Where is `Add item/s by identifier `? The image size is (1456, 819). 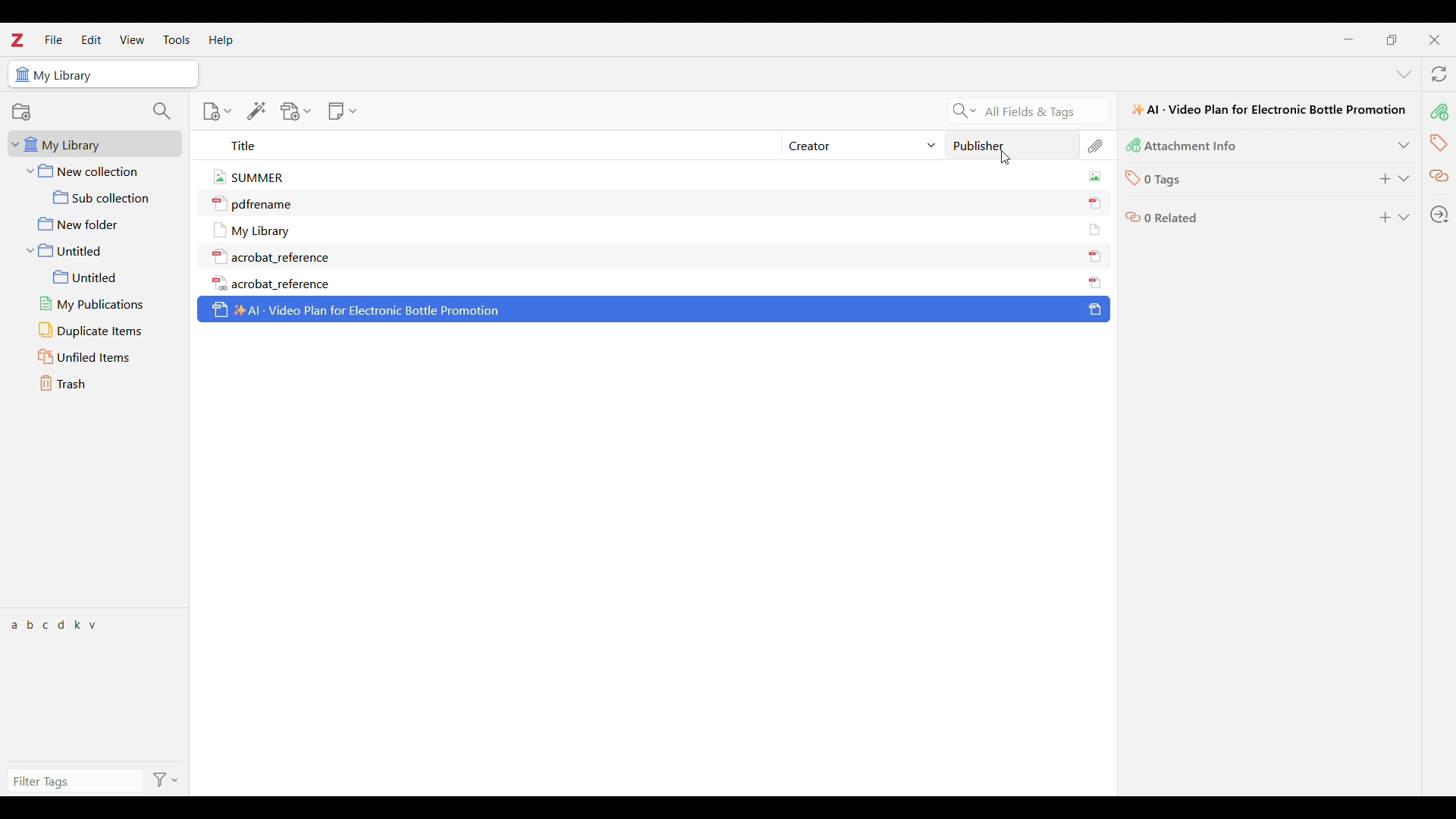 Add item/s by identifier  is located at coordinates (256, 111).